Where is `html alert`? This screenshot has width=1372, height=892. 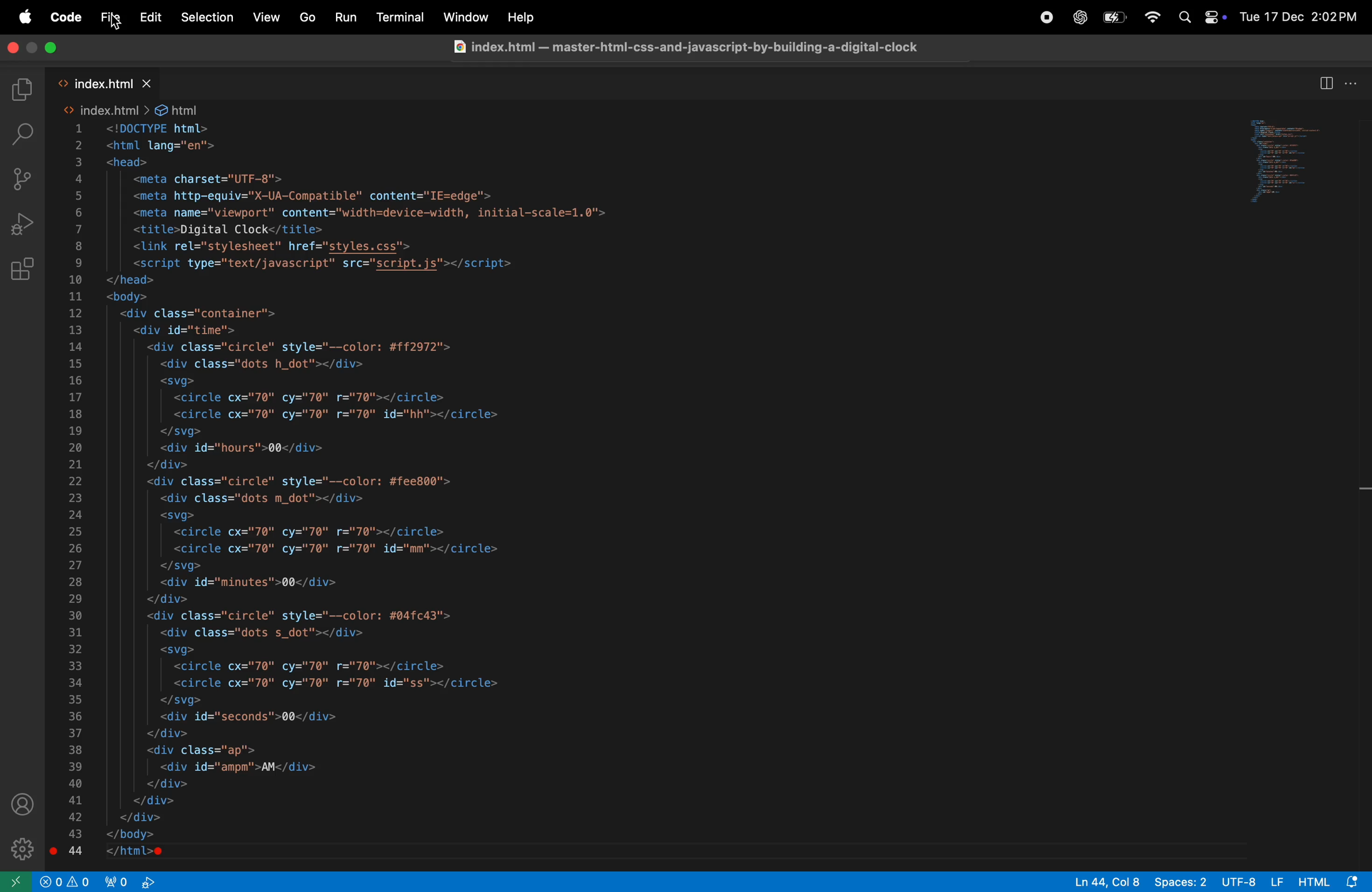
html alert is located at coordinates (1333, 880).